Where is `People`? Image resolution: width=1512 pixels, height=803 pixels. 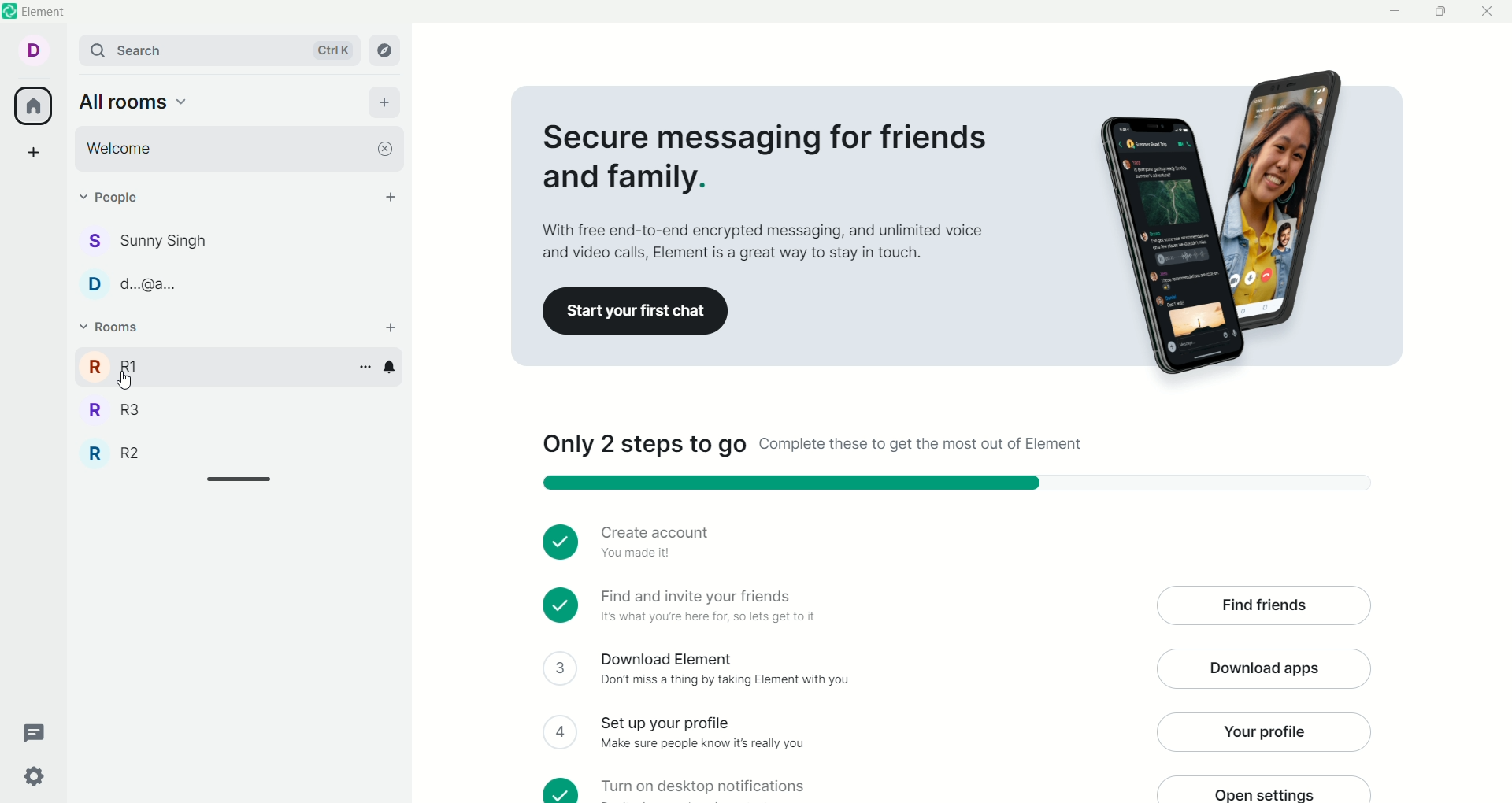 People is located at coordinates (120, 197).